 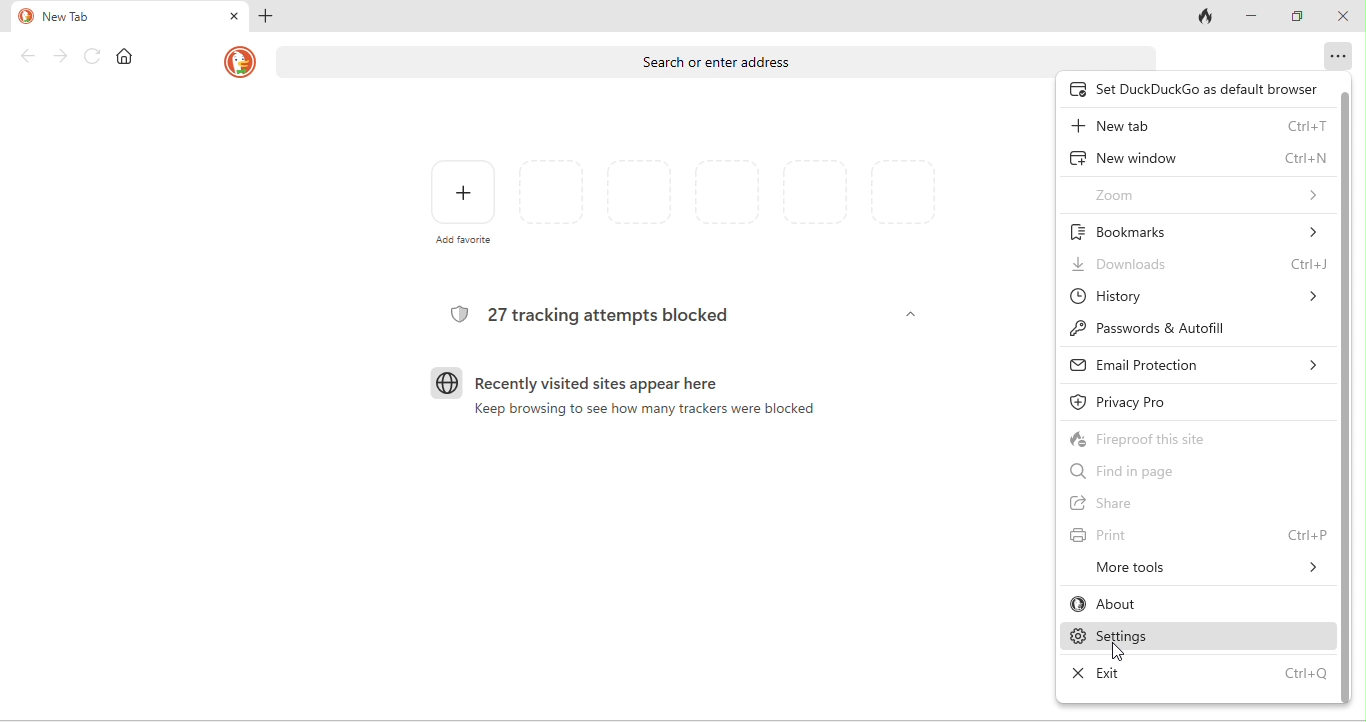 What do you see at coordinates (1205, 569) in the screenshot?
I see `more tools` at bounding box center [1205, 569].